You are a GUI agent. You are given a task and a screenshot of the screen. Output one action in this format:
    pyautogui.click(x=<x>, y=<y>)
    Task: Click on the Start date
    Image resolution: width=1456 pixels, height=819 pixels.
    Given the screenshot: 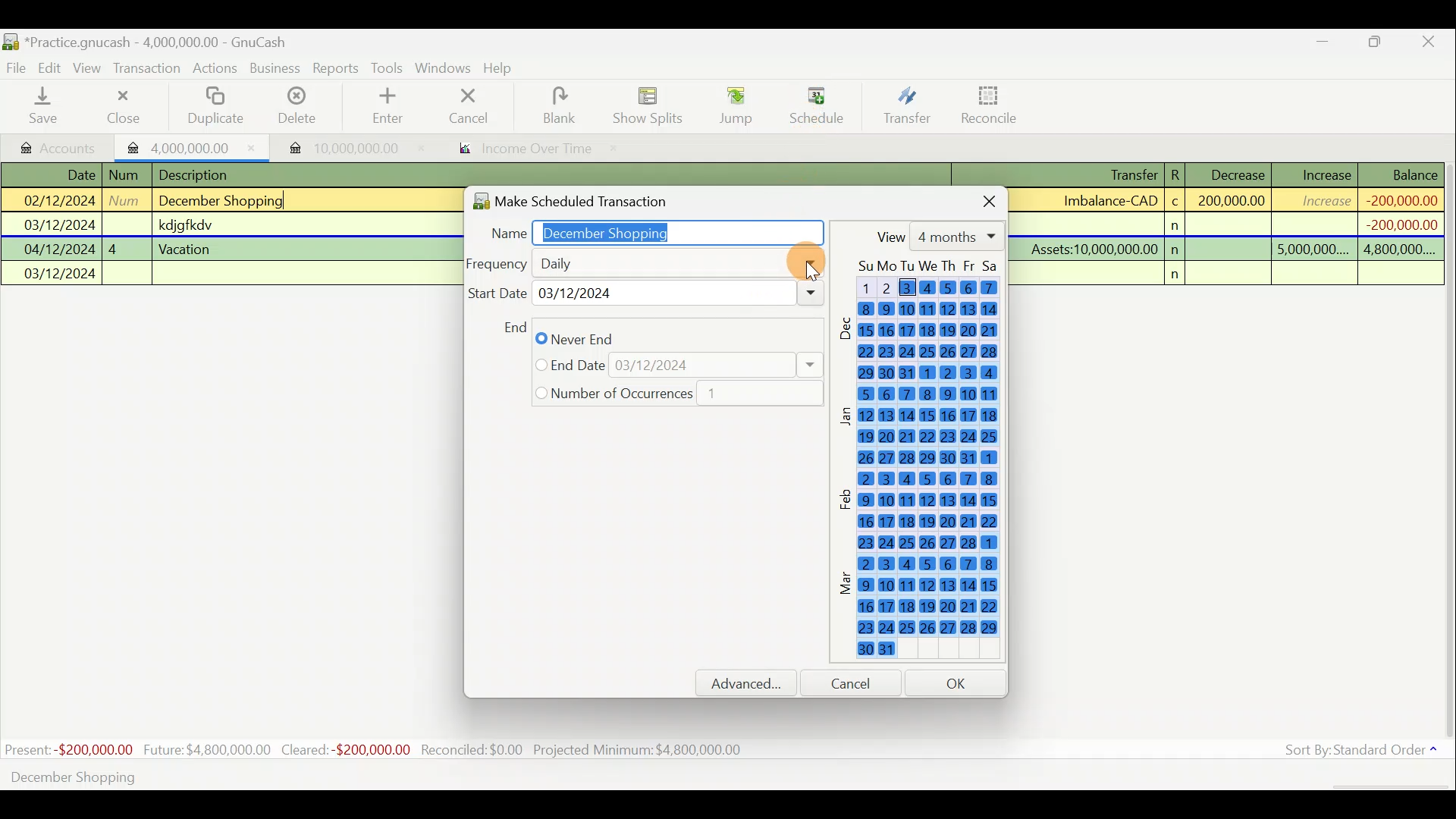 What is the action you would take?
    pyautogui.click(x=645, y=297)
    